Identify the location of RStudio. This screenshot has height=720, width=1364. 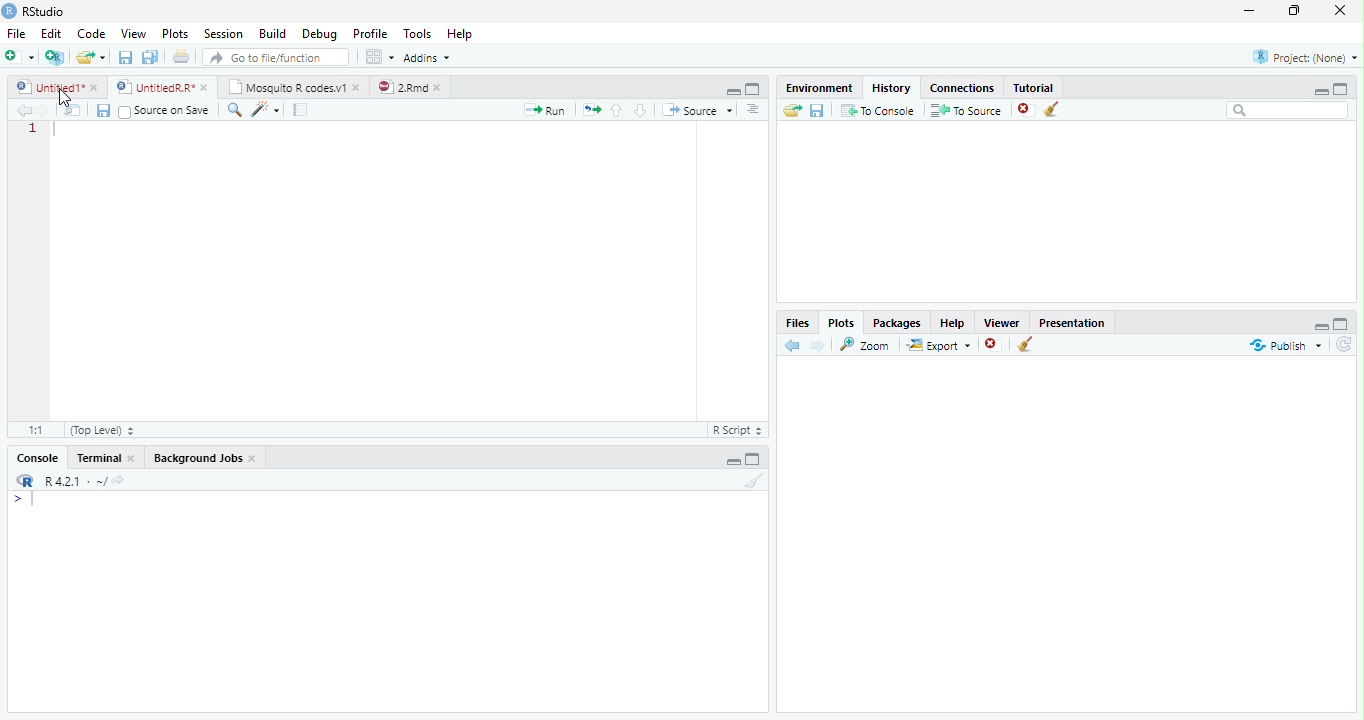
(34, 11).